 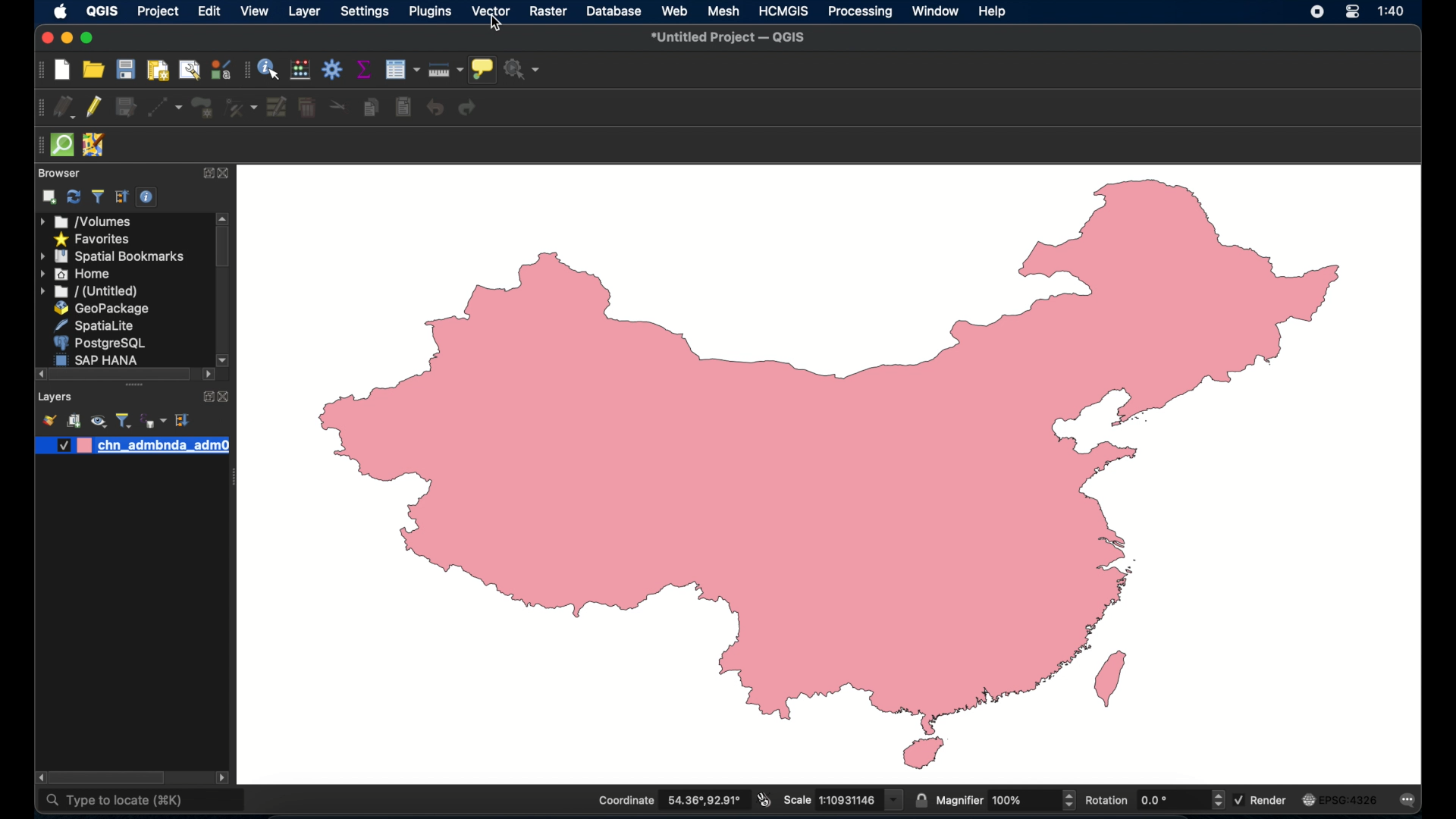 What do you see at coordinates (114, 803) in the screenshot?
I see `type to locate` at bounding box center [114, 803].